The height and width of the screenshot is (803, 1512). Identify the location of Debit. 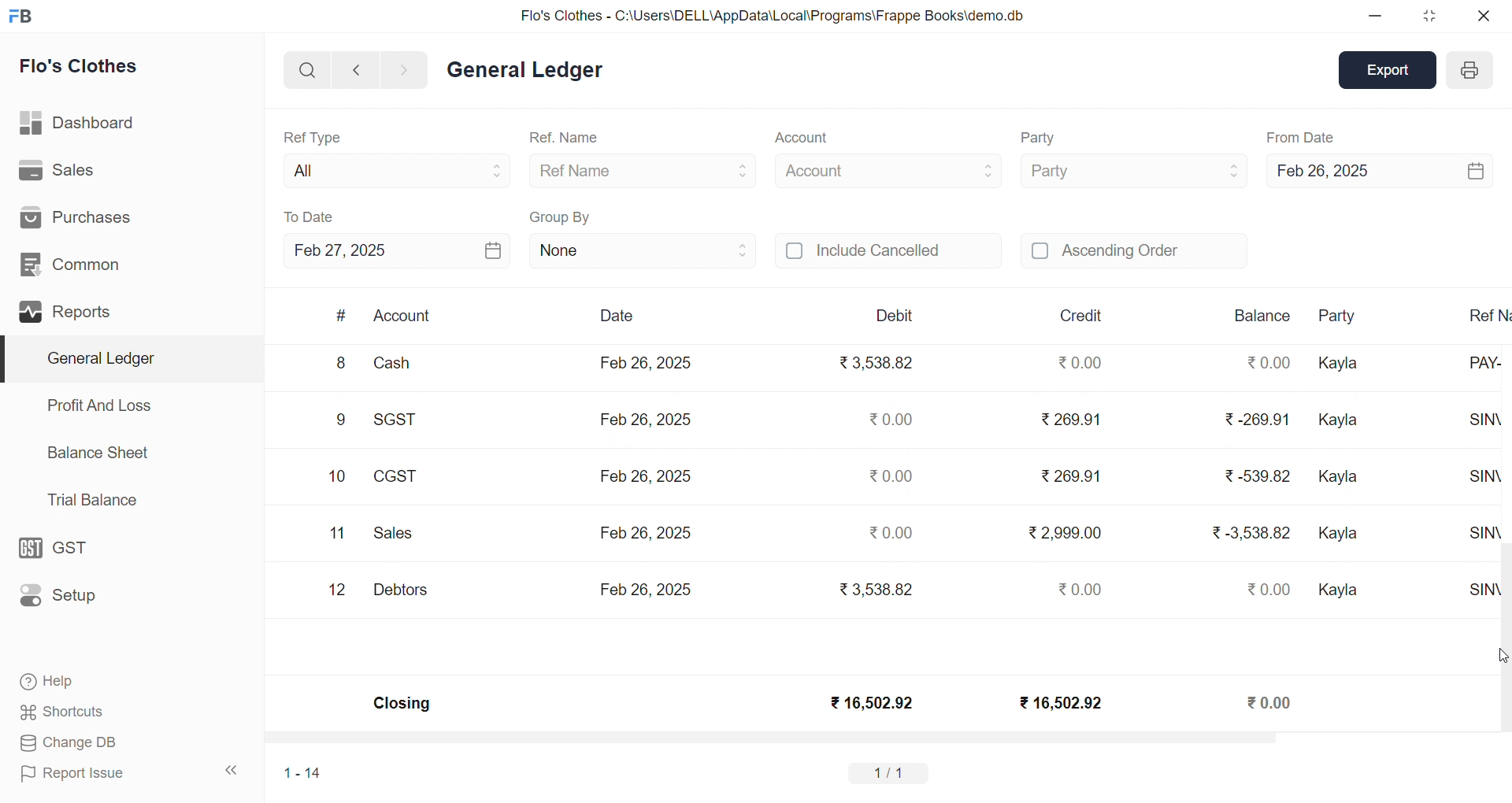
(895, 315).